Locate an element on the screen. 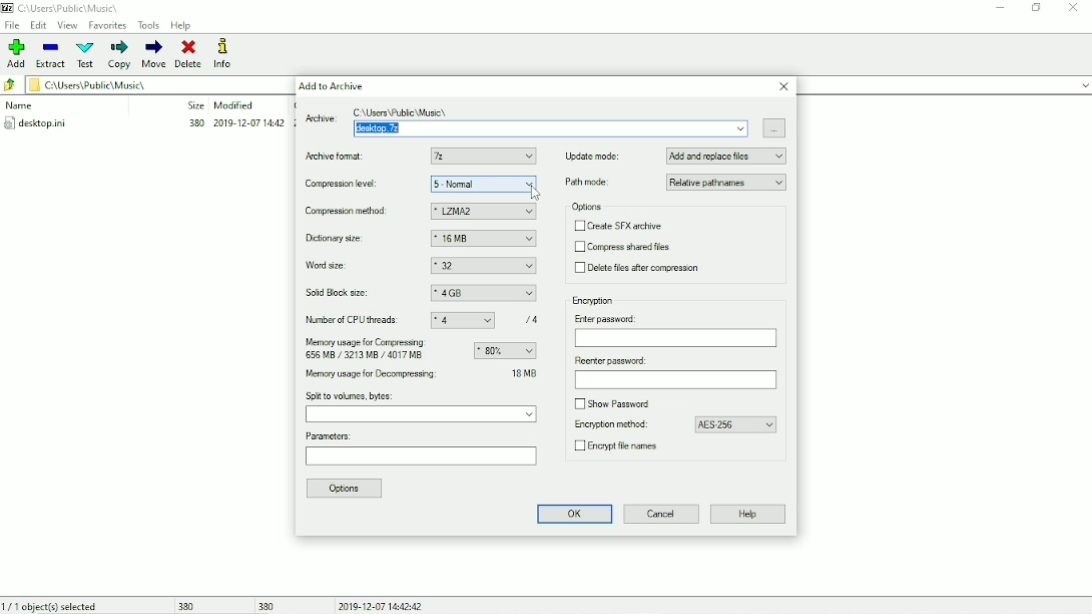 The height and width of the screenshot is (614, 1092). Parameters is located at coordinates (420, 459).